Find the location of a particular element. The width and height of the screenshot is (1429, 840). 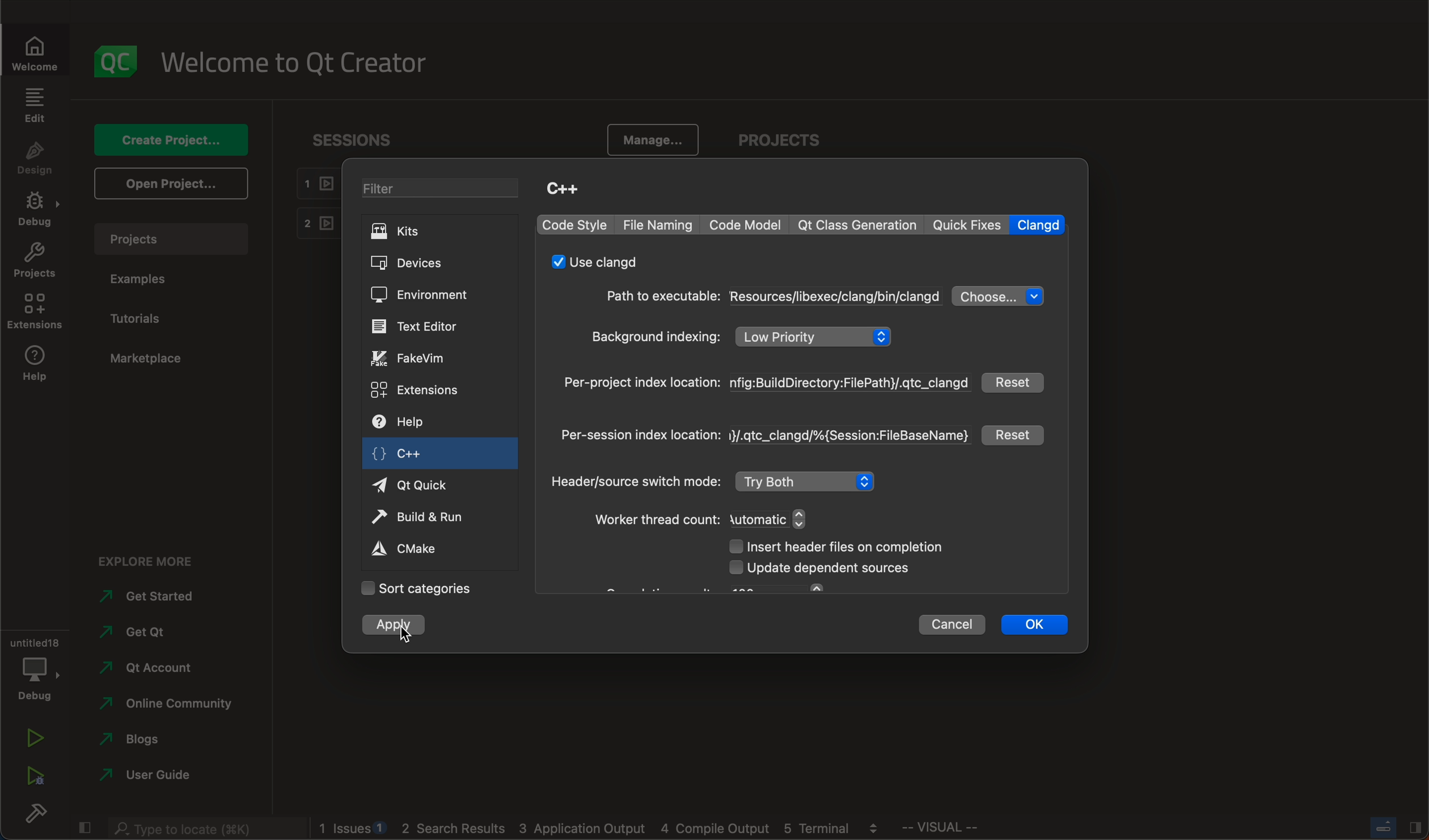

build is located at coordinates (32, 810).